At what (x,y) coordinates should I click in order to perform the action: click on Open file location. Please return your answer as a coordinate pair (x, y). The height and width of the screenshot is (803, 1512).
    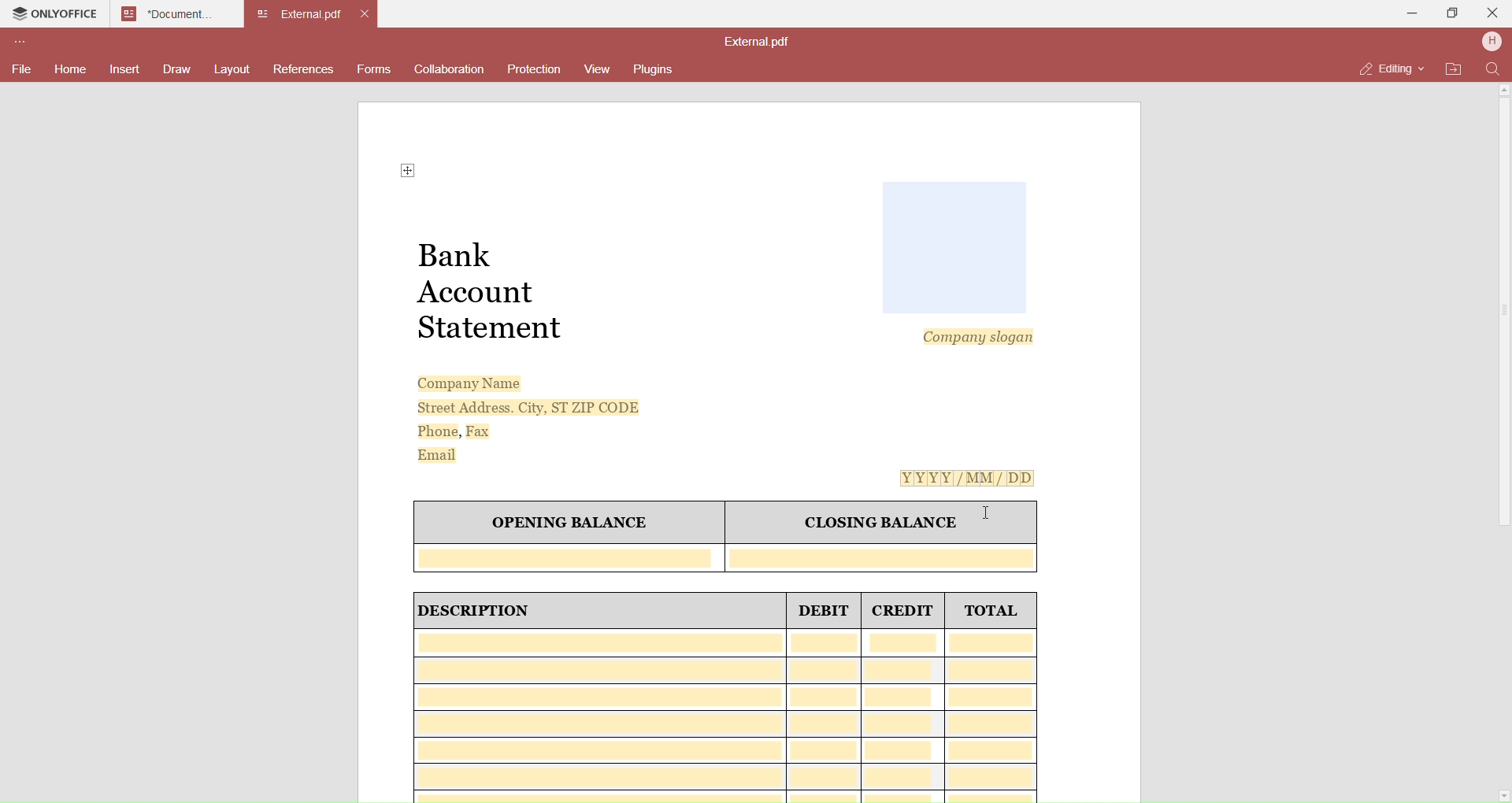
    Looking at the image, I should click on (1455, 69).